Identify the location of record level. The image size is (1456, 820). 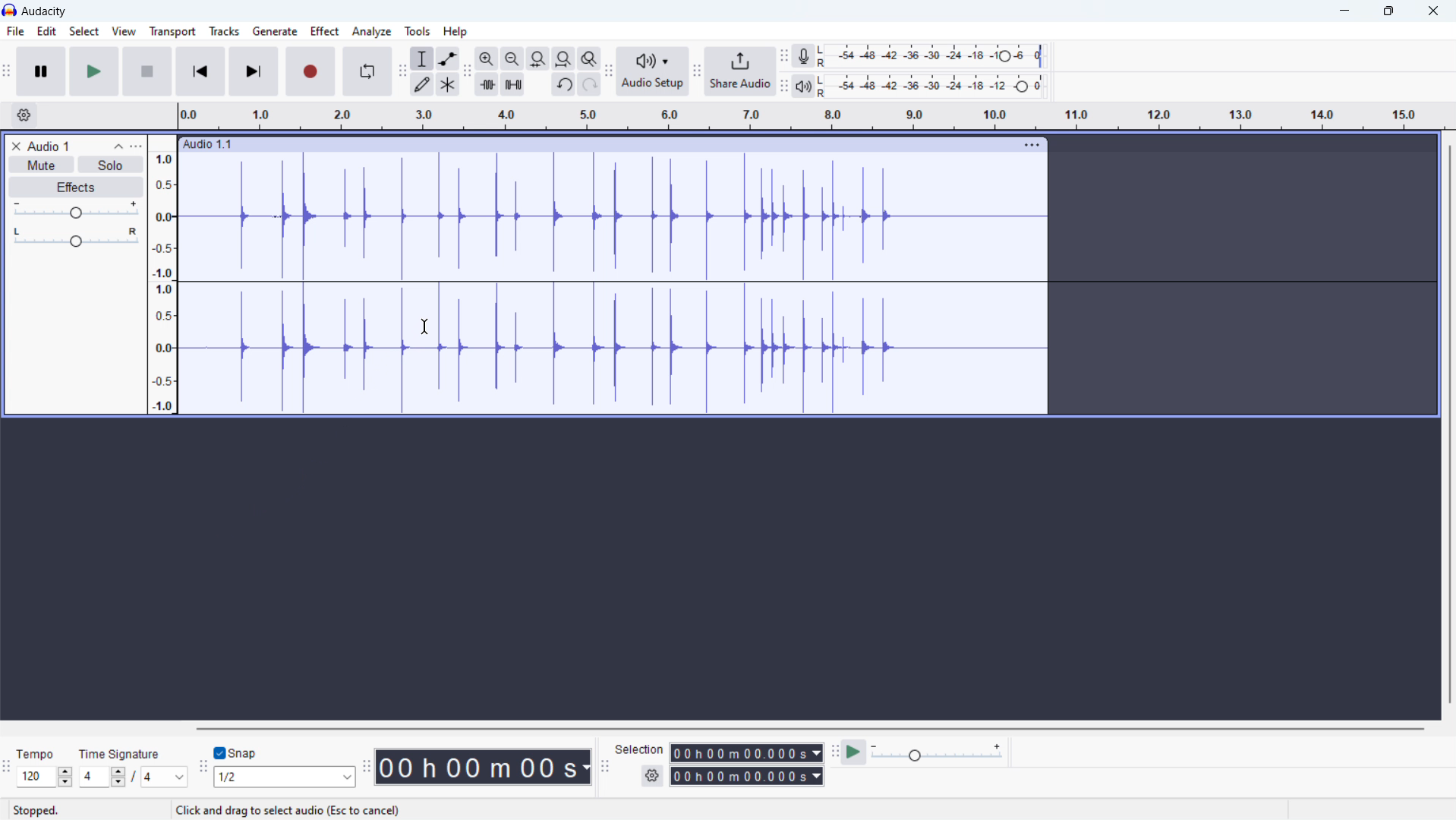
(938, 56).